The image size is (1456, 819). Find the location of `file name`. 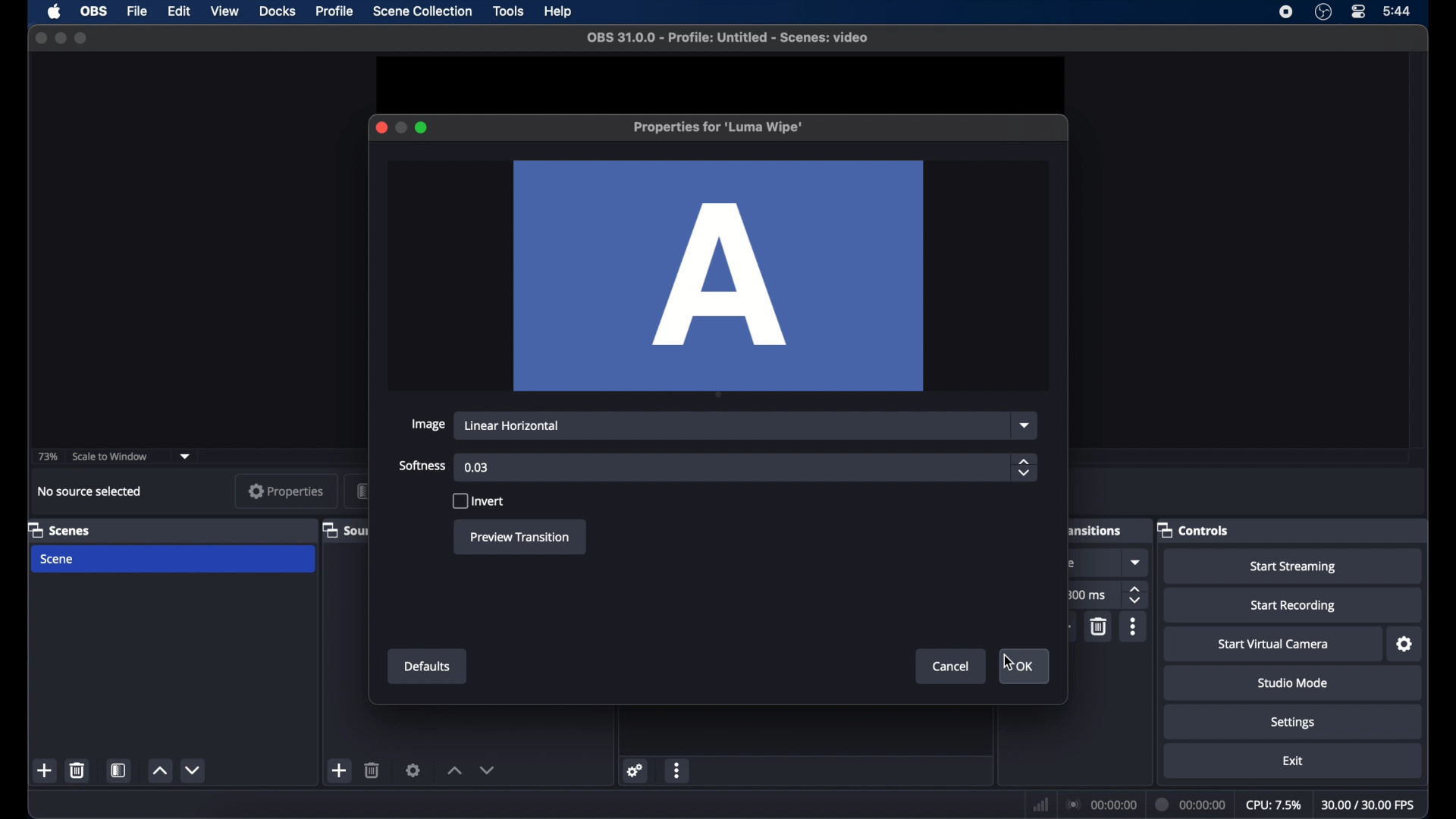

file name is located at coordinates (730, 37).